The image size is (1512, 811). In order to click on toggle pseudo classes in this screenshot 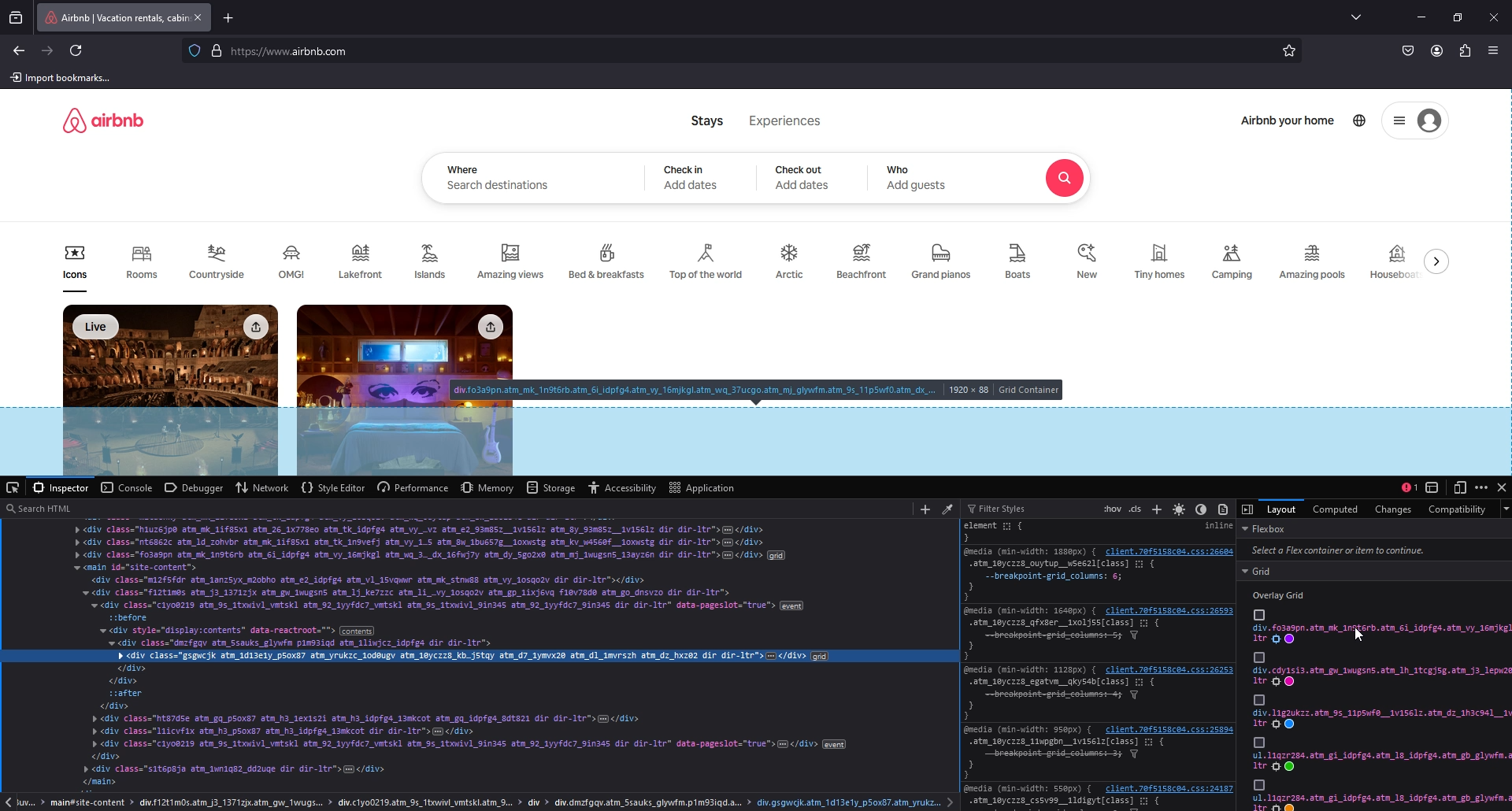, I will do `click(1111, 509)`.